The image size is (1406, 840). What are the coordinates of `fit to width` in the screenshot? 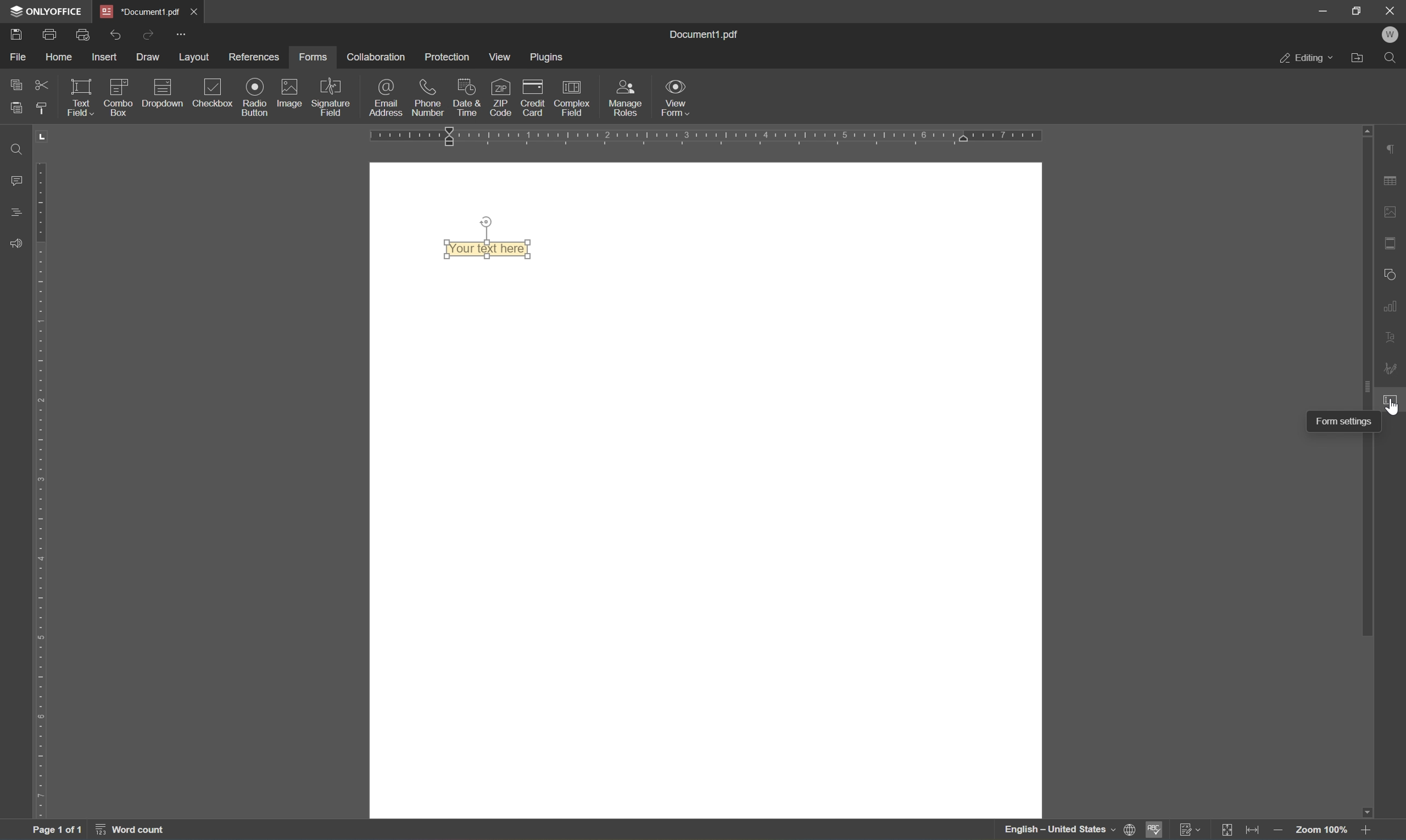 It's located at (1254, 832).